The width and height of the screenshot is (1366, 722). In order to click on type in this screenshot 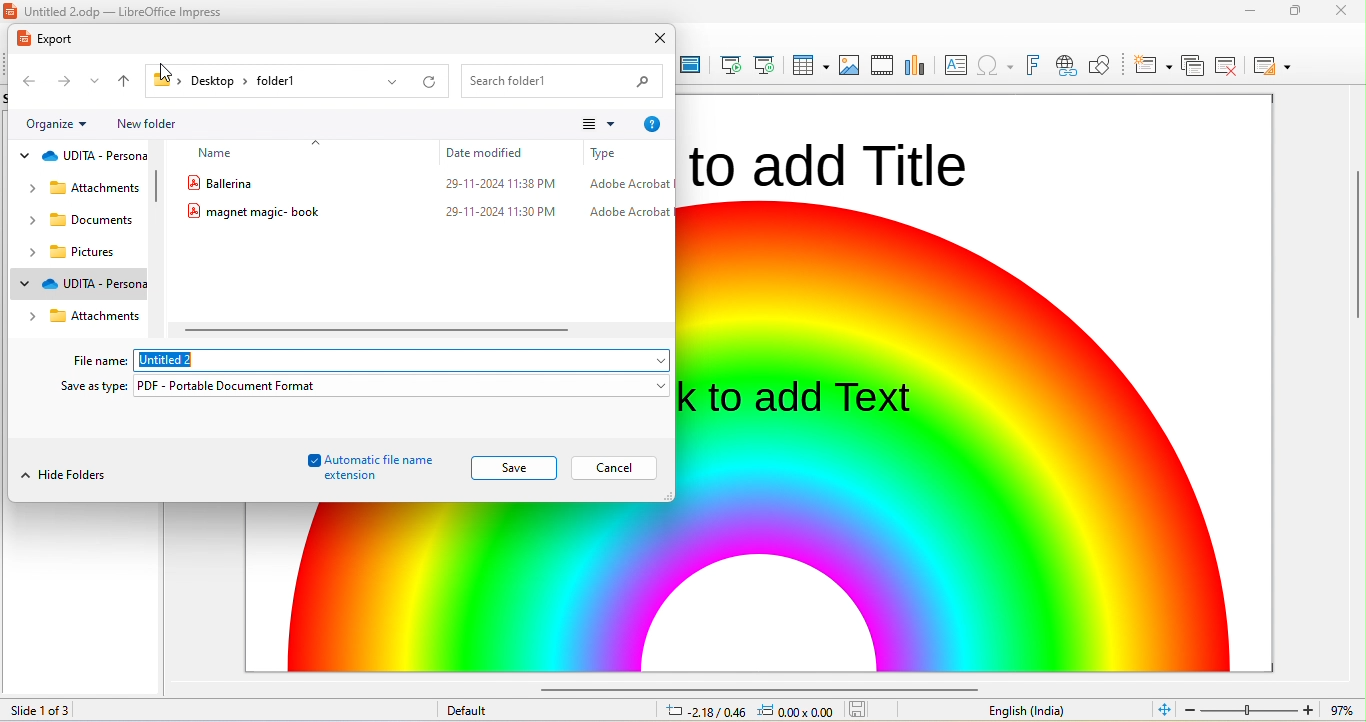, I will do `click(604, 153)`.